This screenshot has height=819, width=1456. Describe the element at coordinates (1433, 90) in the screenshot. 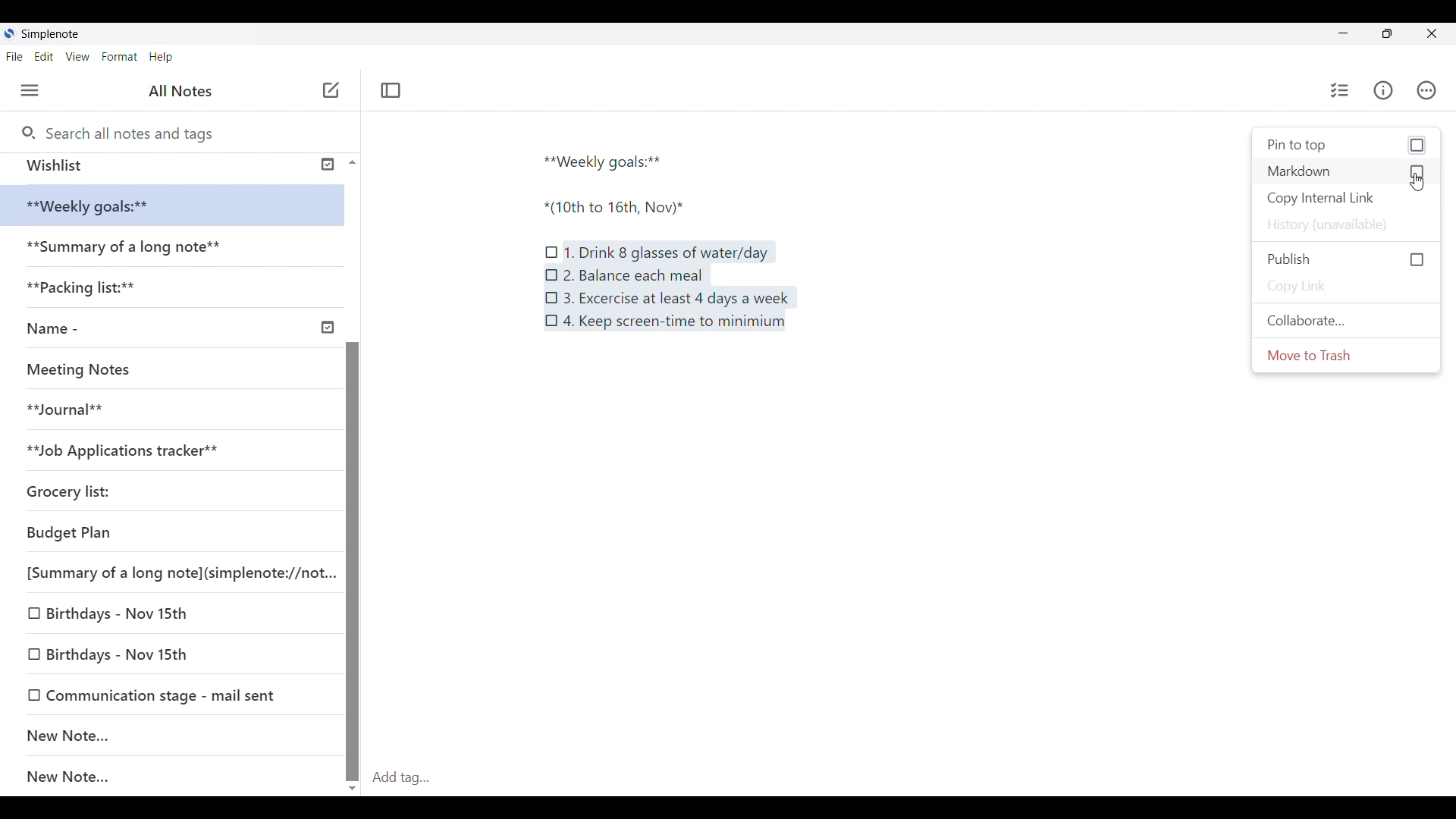

I see `Actions` at that location.